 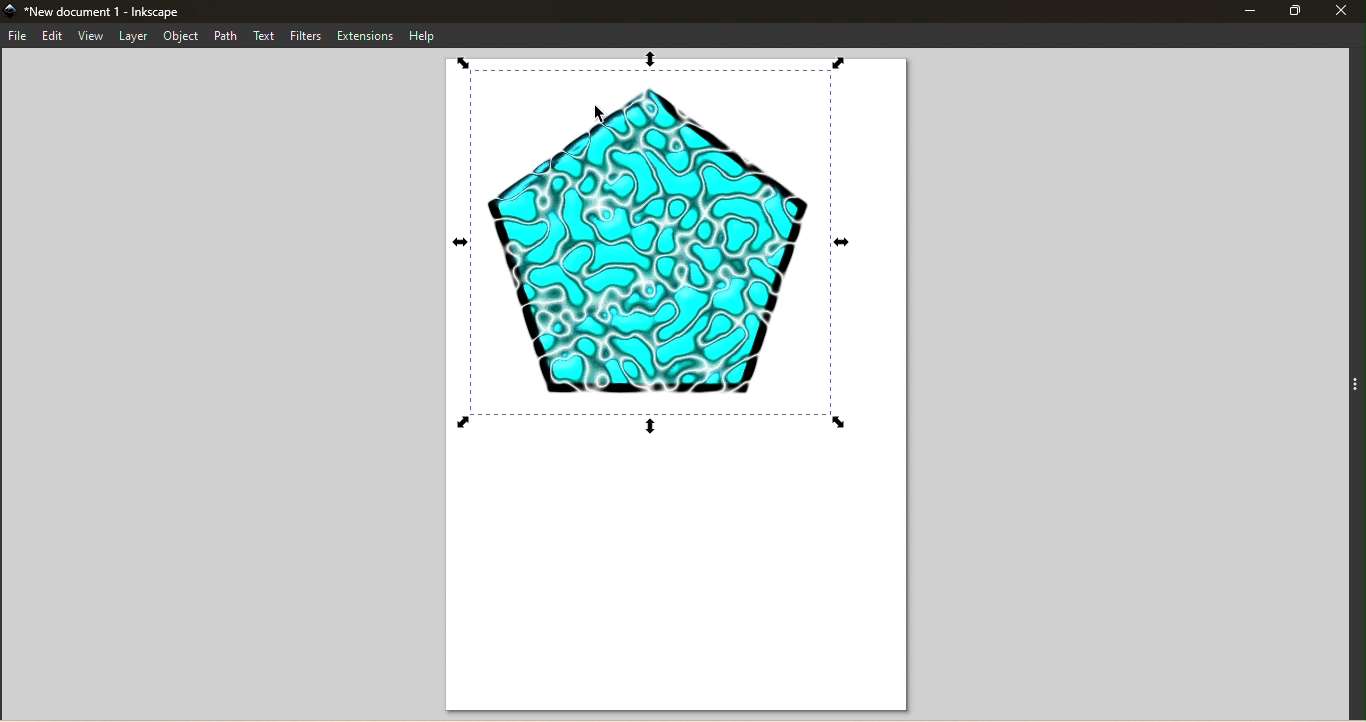 I want to click on Minimize, so click(x=1248, y=10).